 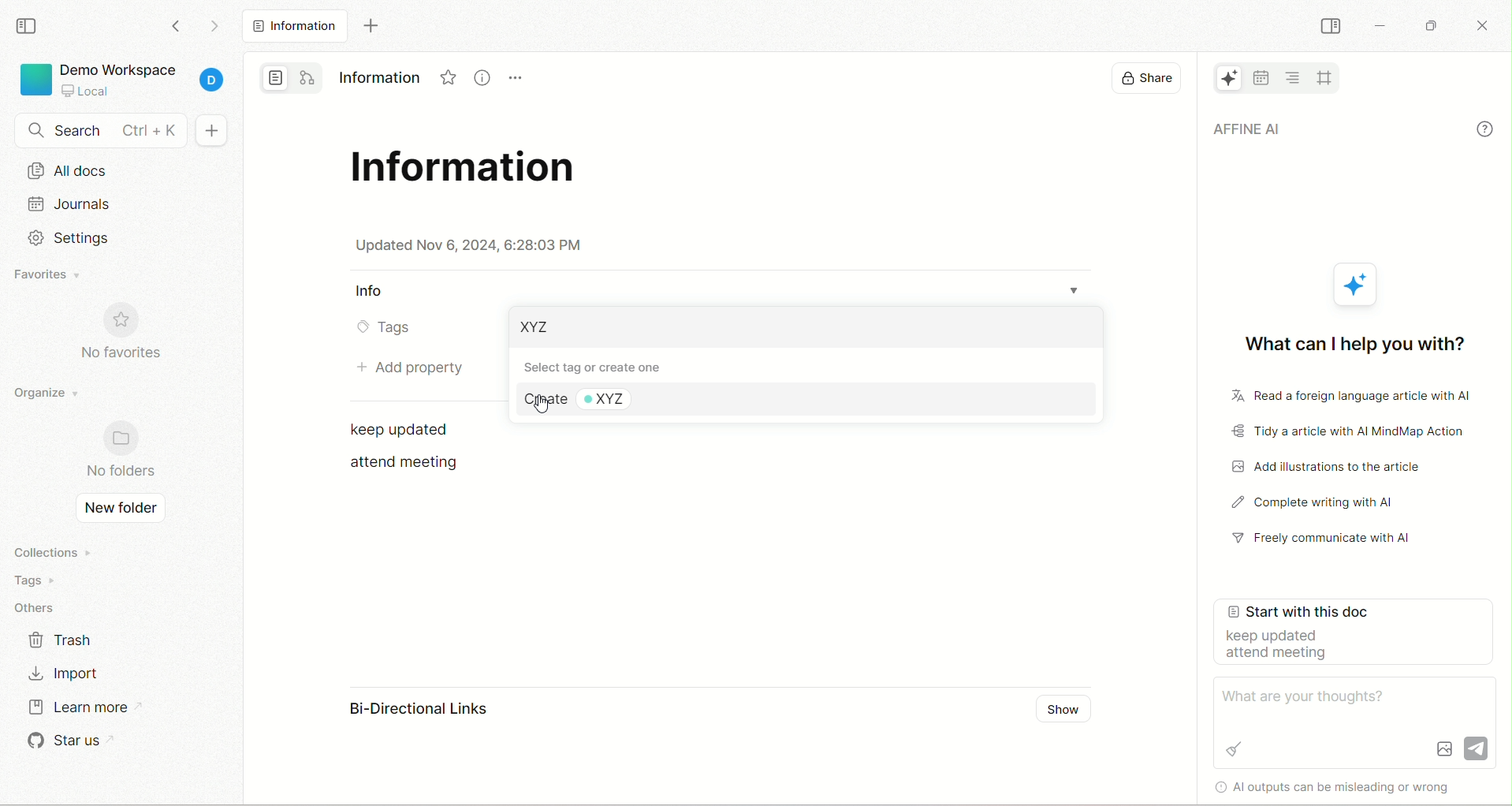 What do you see at coordinates (77, 711) in the screenshot?
I see `learn more` at bounding box center [77, 711].